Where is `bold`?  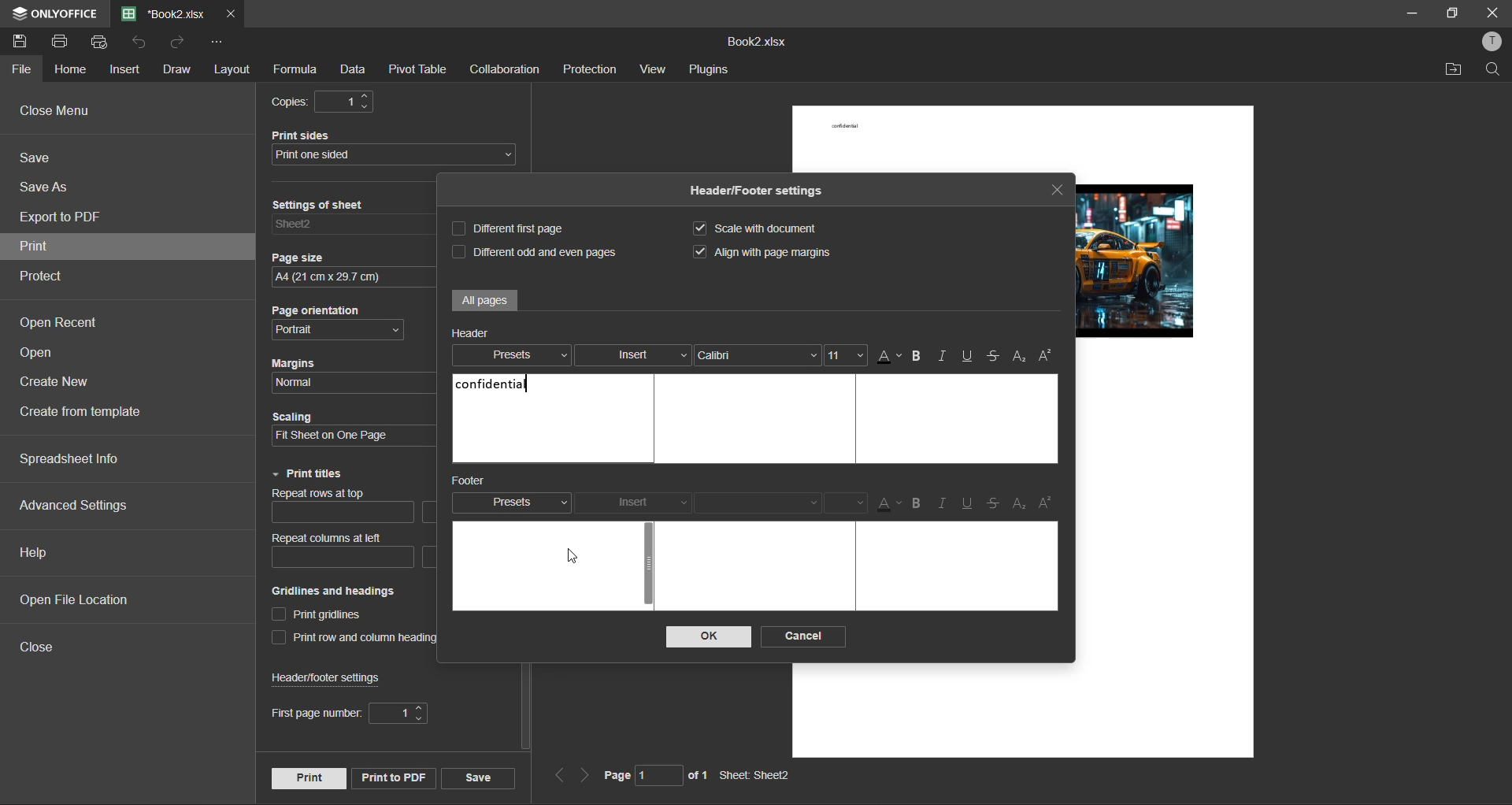
bold is located at coordinates (920, 503).